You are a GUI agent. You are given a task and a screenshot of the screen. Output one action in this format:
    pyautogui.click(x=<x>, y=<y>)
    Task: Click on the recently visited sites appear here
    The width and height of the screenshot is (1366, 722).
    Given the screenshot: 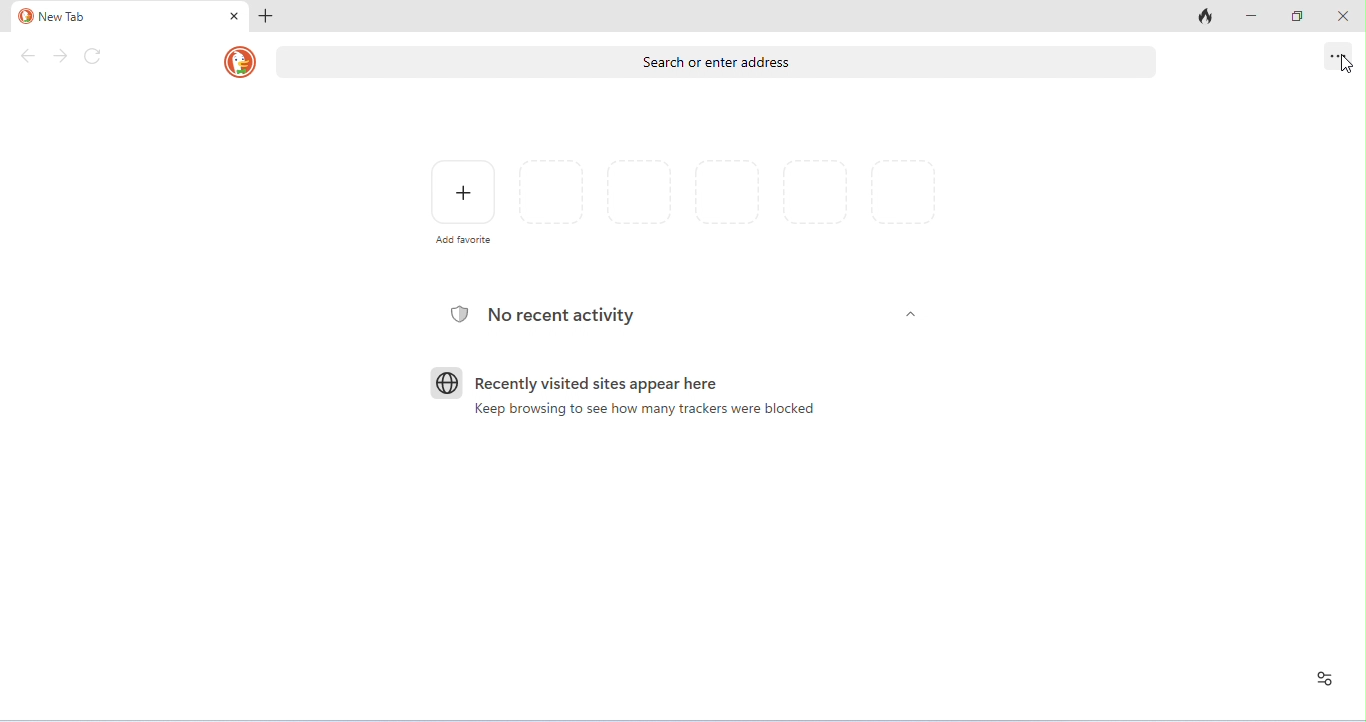 What is the action you would take?
    pyautogui.click(x=577, y=382)
    